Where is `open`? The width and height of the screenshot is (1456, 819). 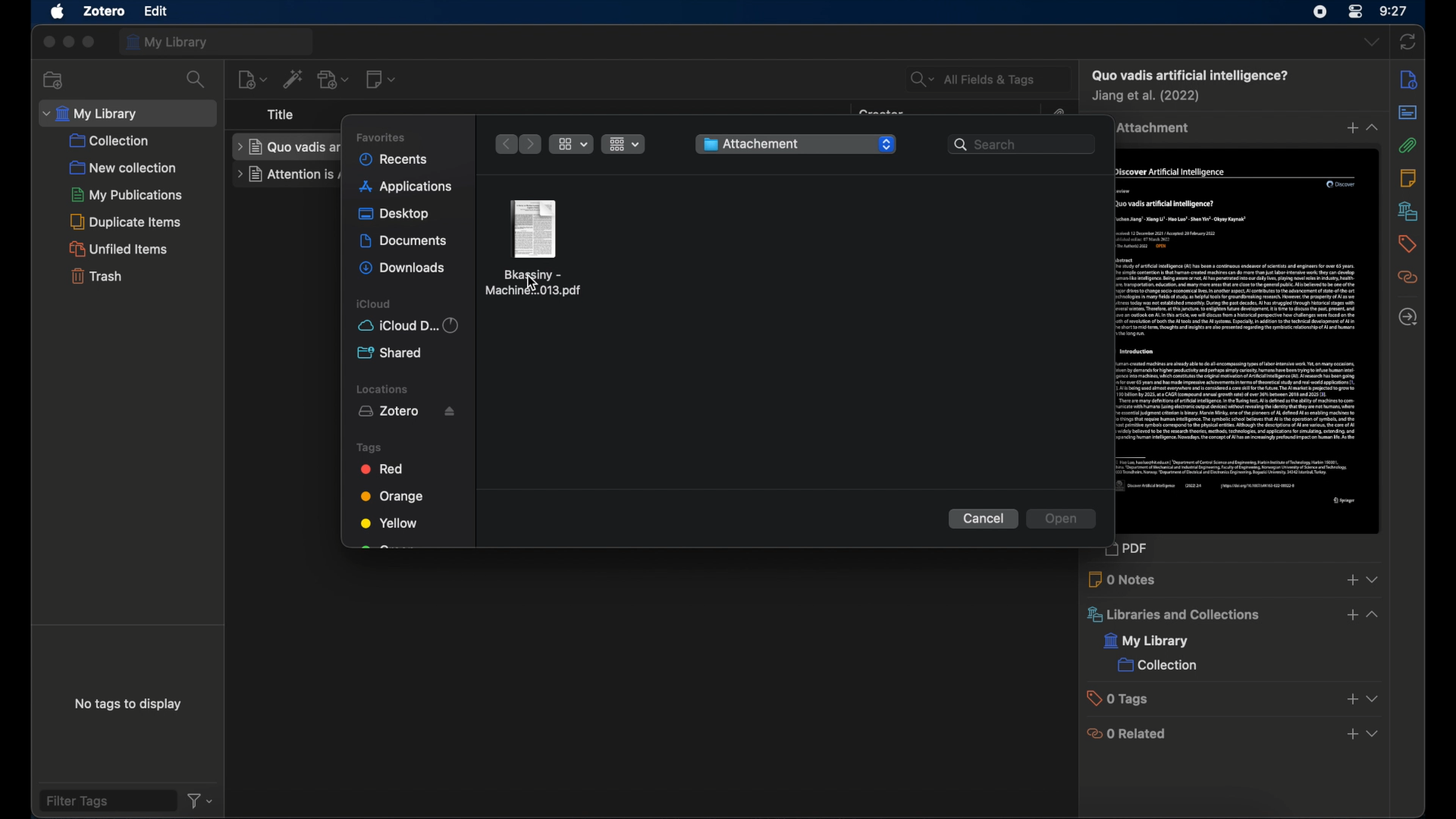 open is located at coordinates (1062, 519).